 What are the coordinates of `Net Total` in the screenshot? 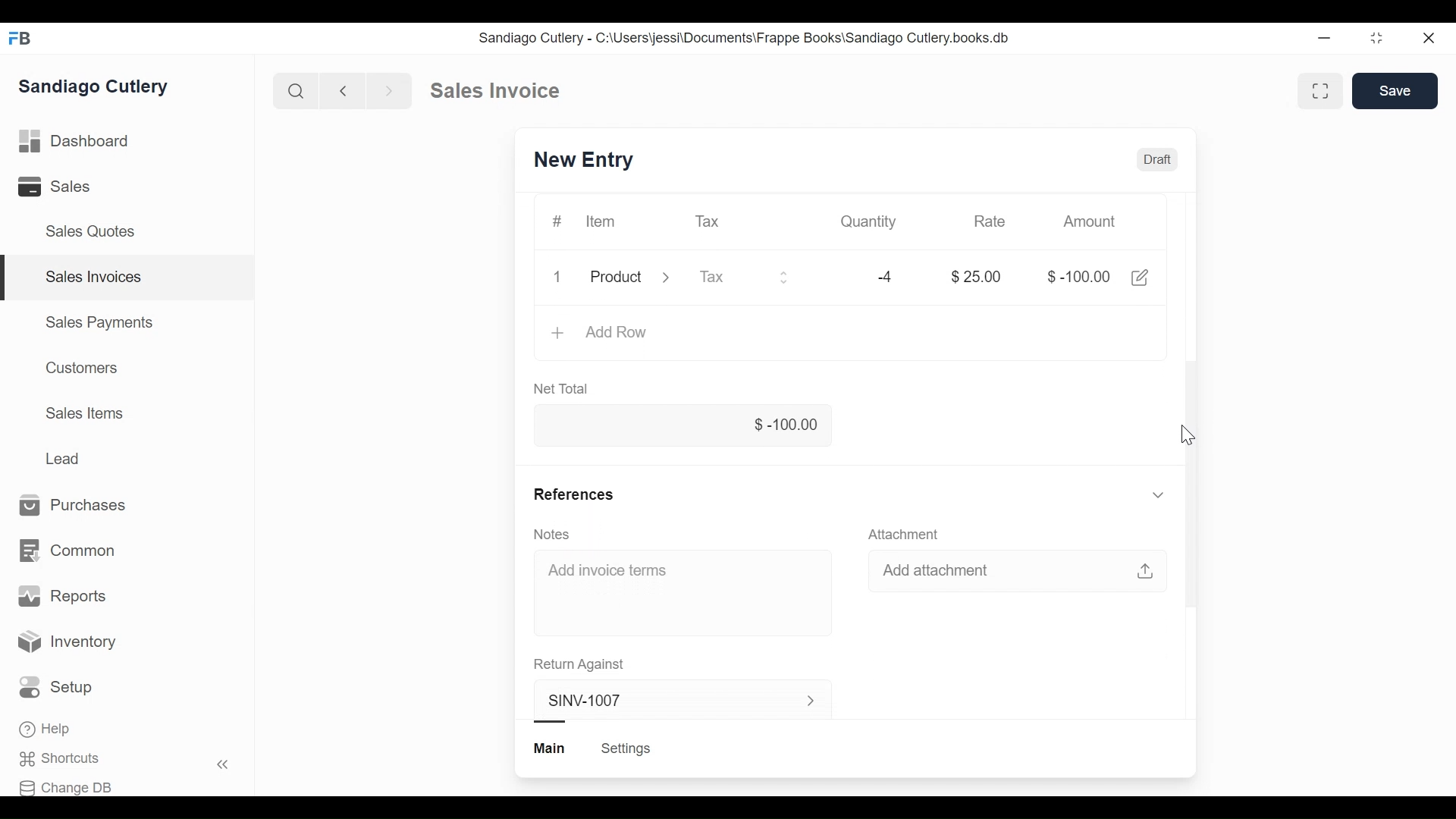 It's located at (564, 388).